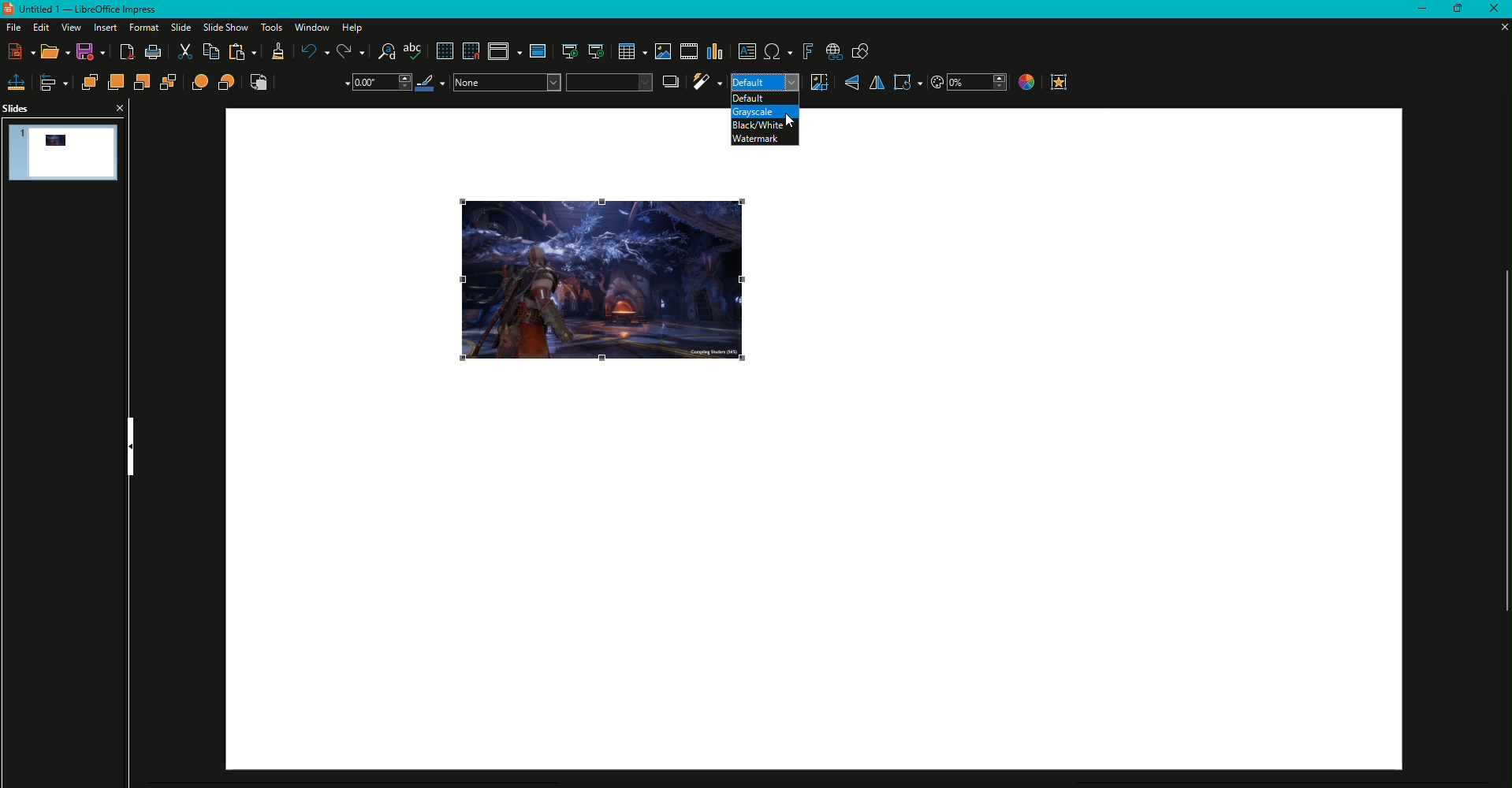 The height and width of the screenshot is (788, 1512). What do you see at coordinates (1025, 84) in the screenshot?
I see `Color` at bounding box center [1025, 84].